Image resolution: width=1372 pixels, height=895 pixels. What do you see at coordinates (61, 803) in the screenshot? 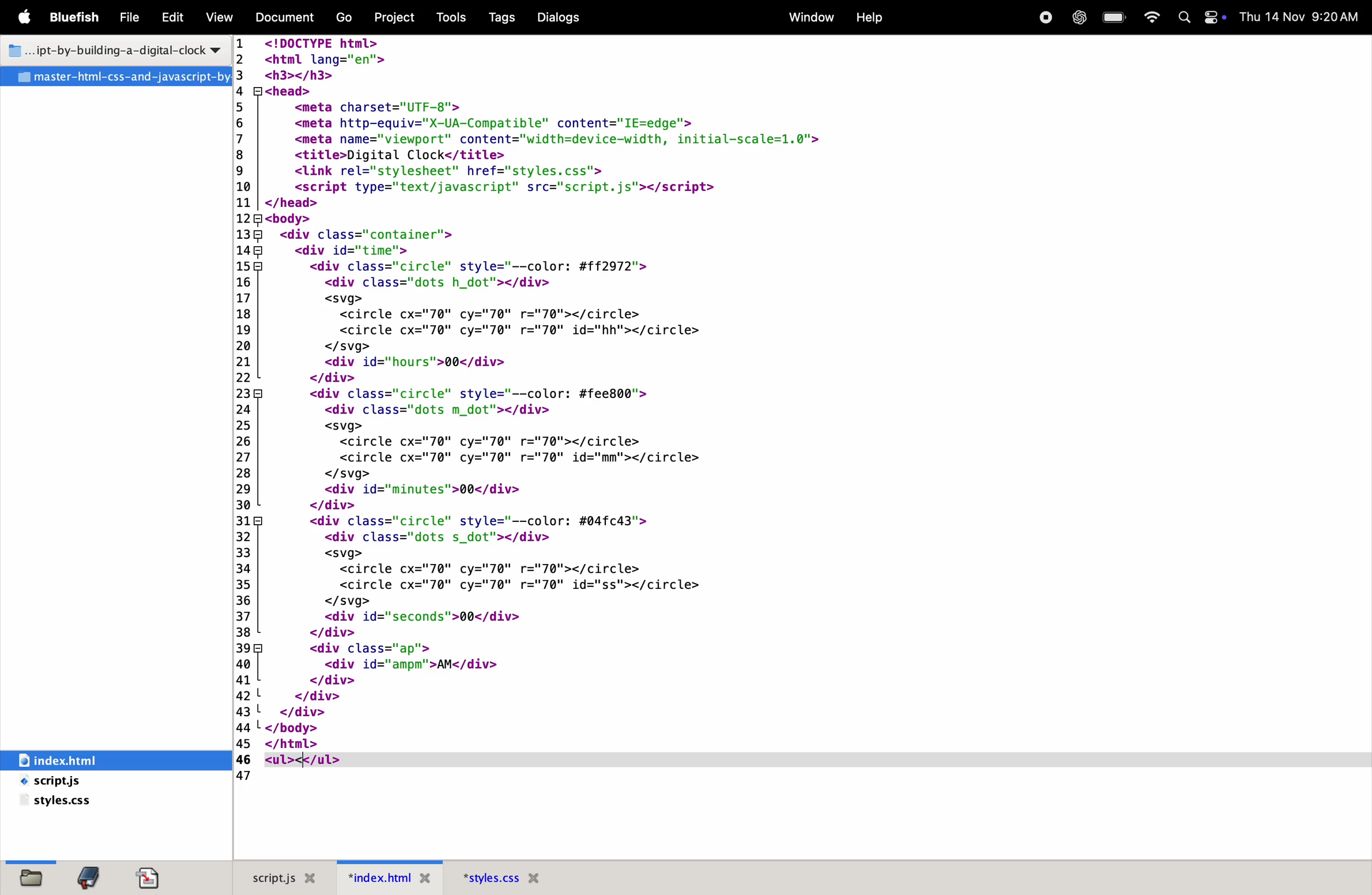
I see `style.css` at bounding box center [61, 803].